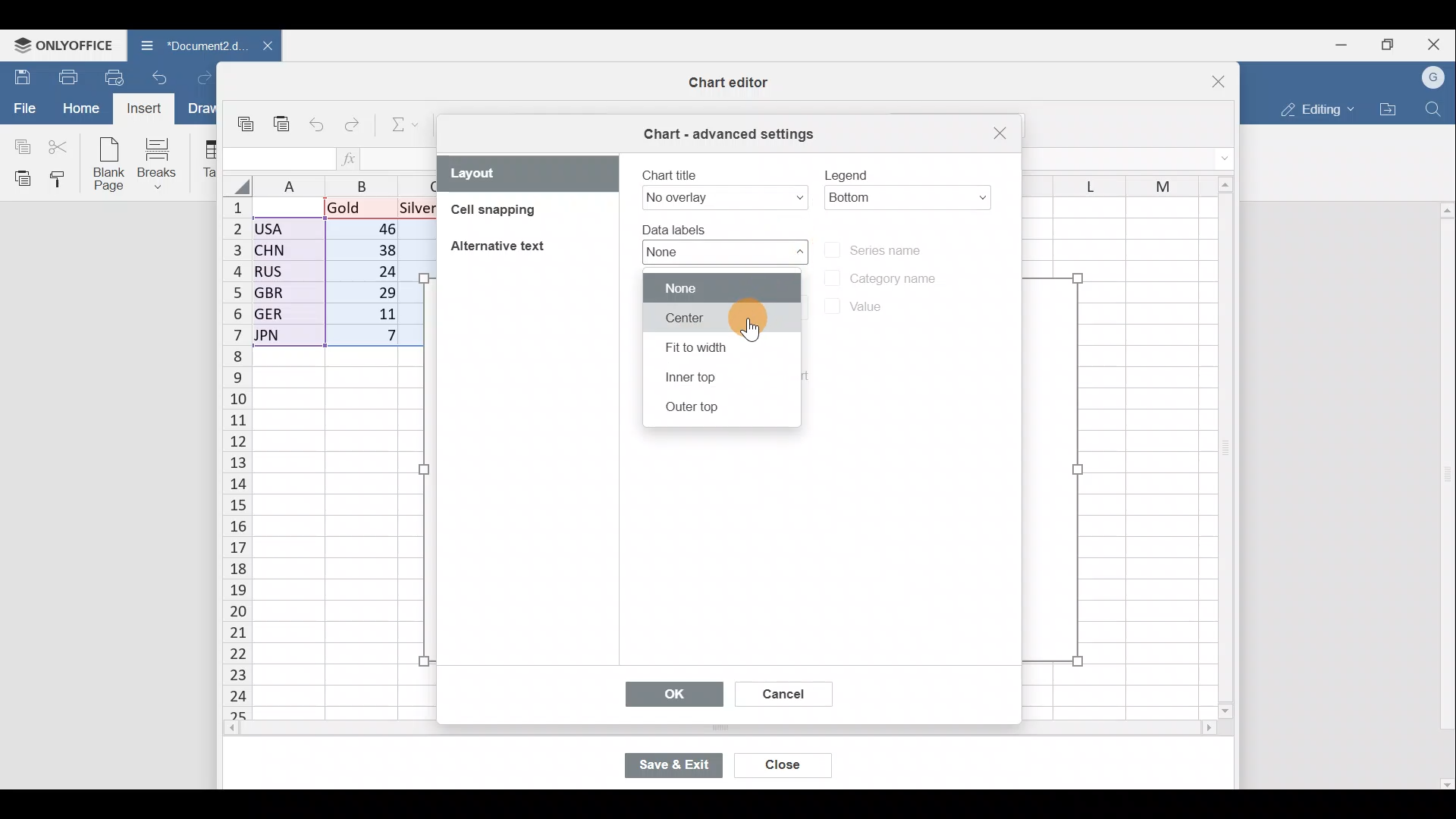  What do you see at coordinates (320, 126) in the screenshot?
I see `Undo` at bounding box center [320, 126].